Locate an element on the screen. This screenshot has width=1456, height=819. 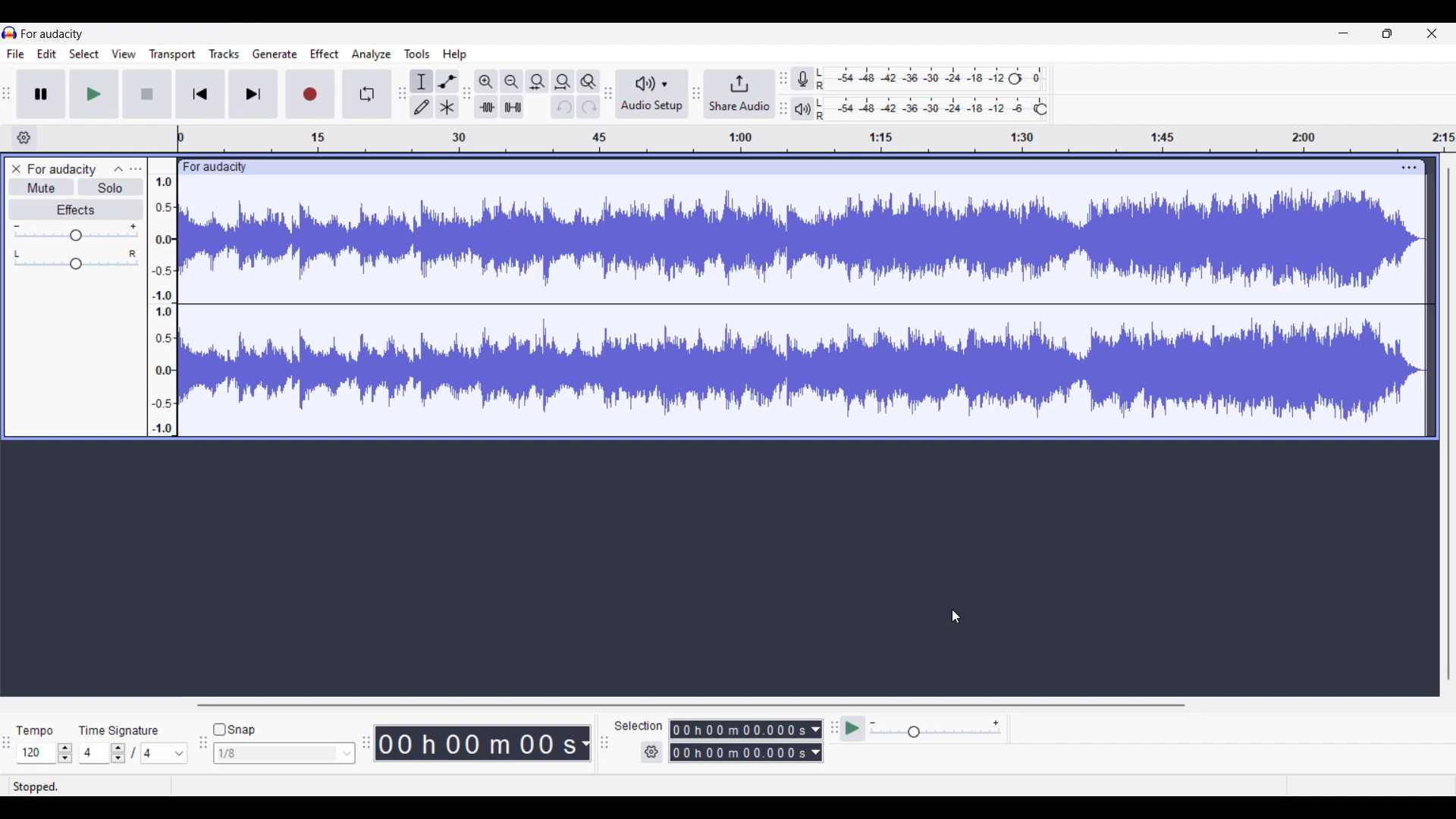
Increase/Decrease Tempo is located at coordinates (64, 753).